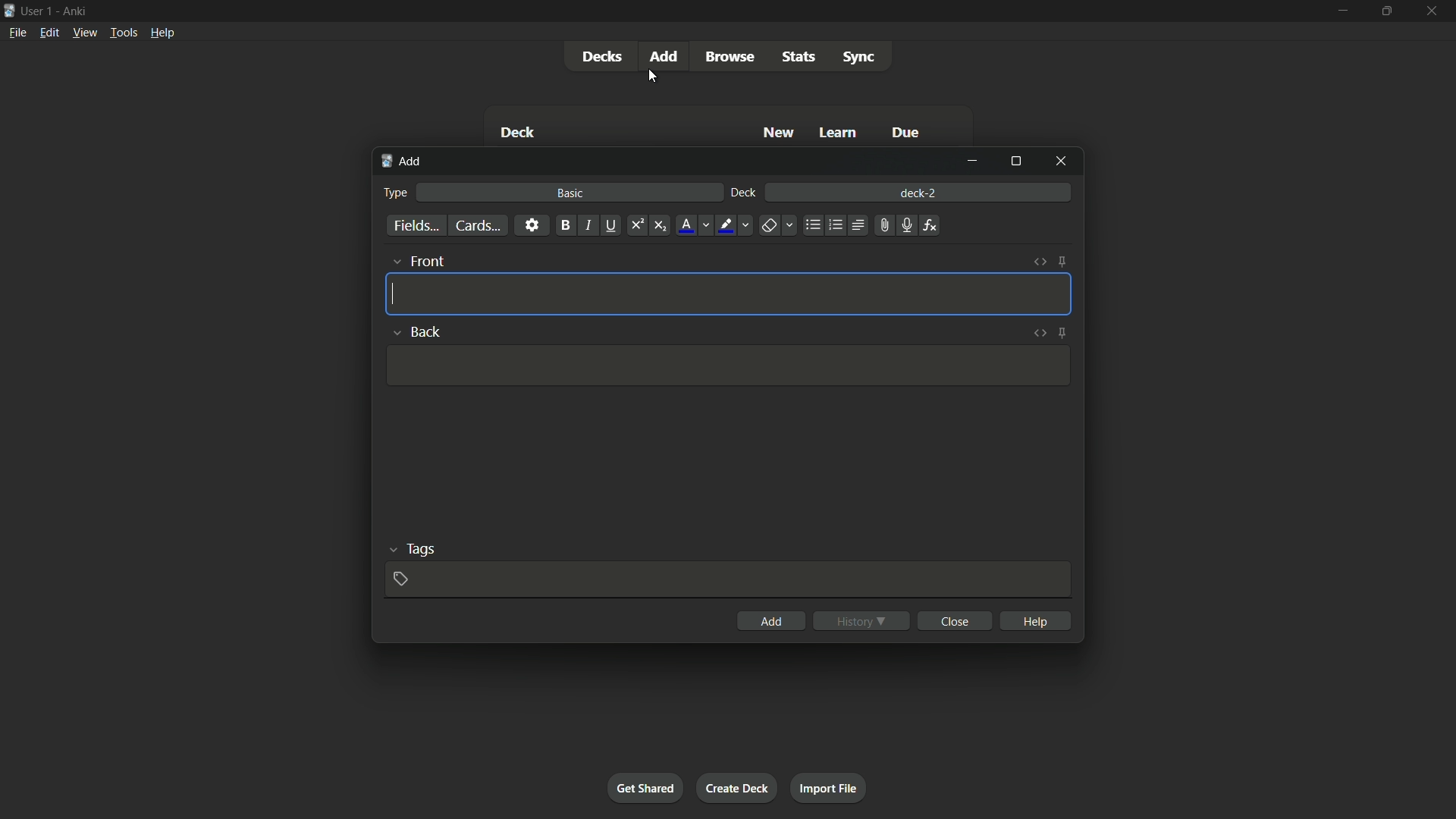 The width and height of the screenshot is (1456, 819). Describe the element at coordinates (8, 11) in the screenshot. I see `app icon` at that location.